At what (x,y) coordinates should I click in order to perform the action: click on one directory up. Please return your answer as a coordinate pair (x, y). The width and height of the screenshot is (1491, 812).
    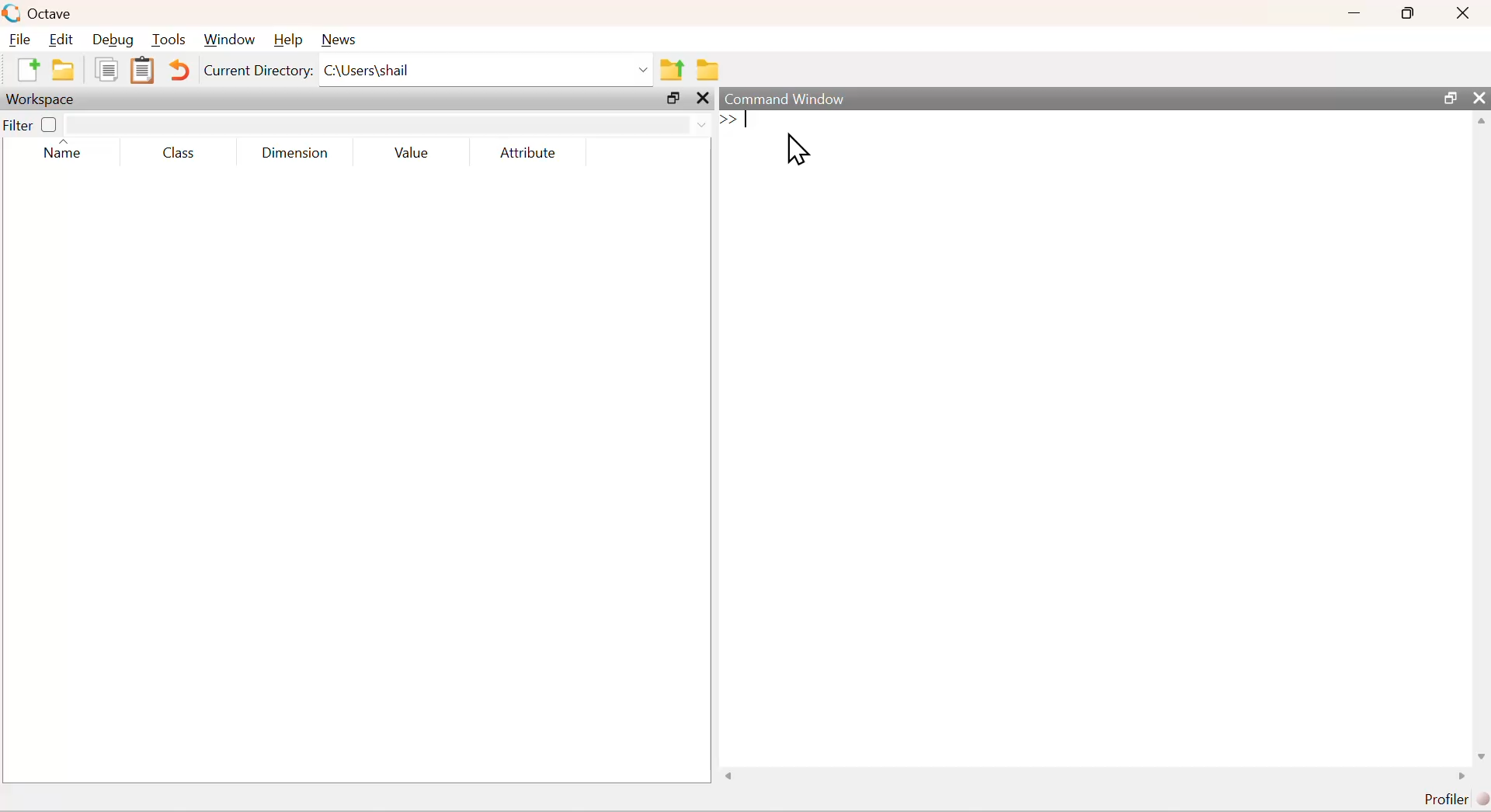
    Looking at the image, I should click on (673, 71).